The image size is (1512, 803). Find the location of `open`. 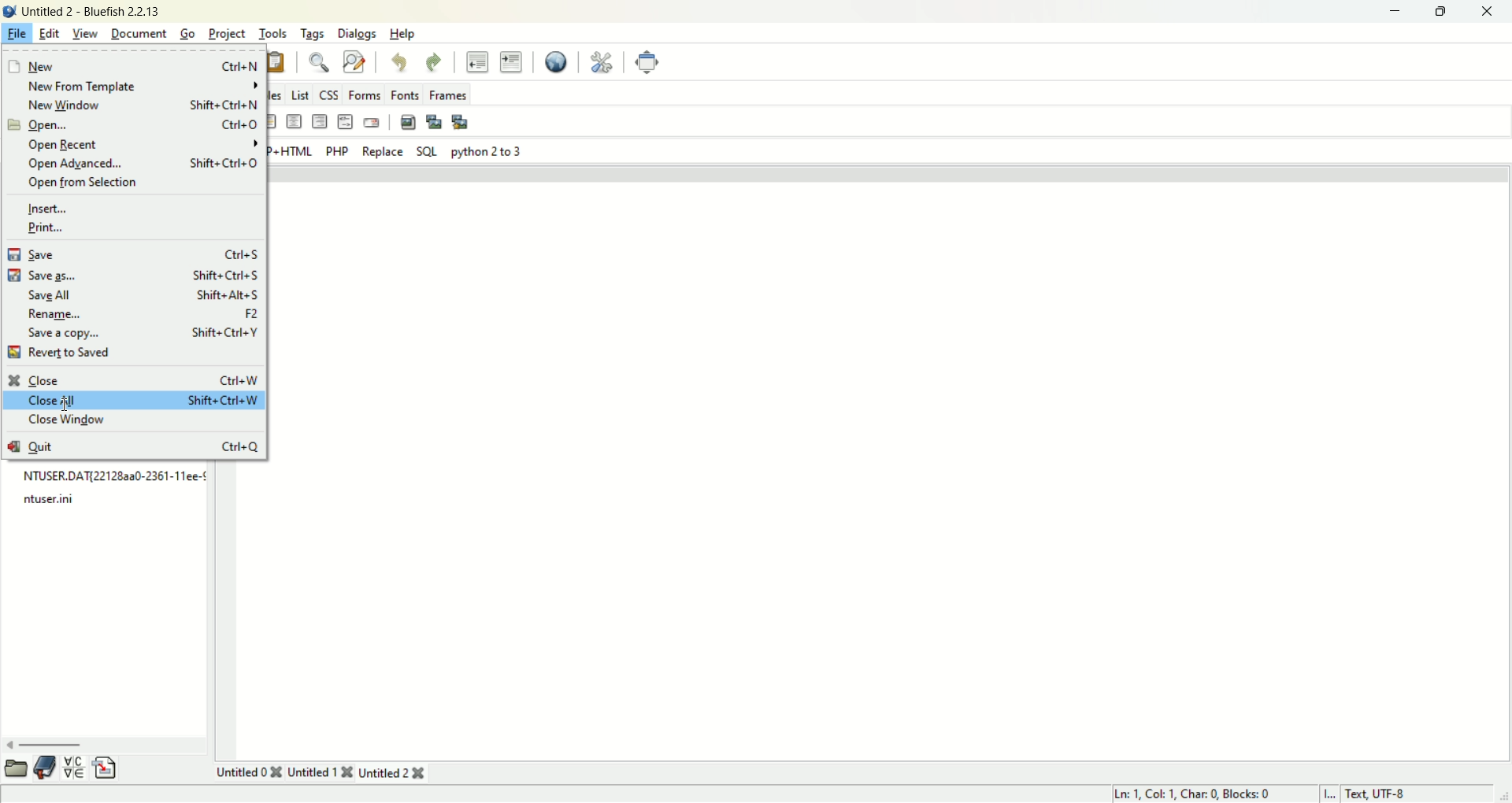

open is located at coordinates (14, 768).